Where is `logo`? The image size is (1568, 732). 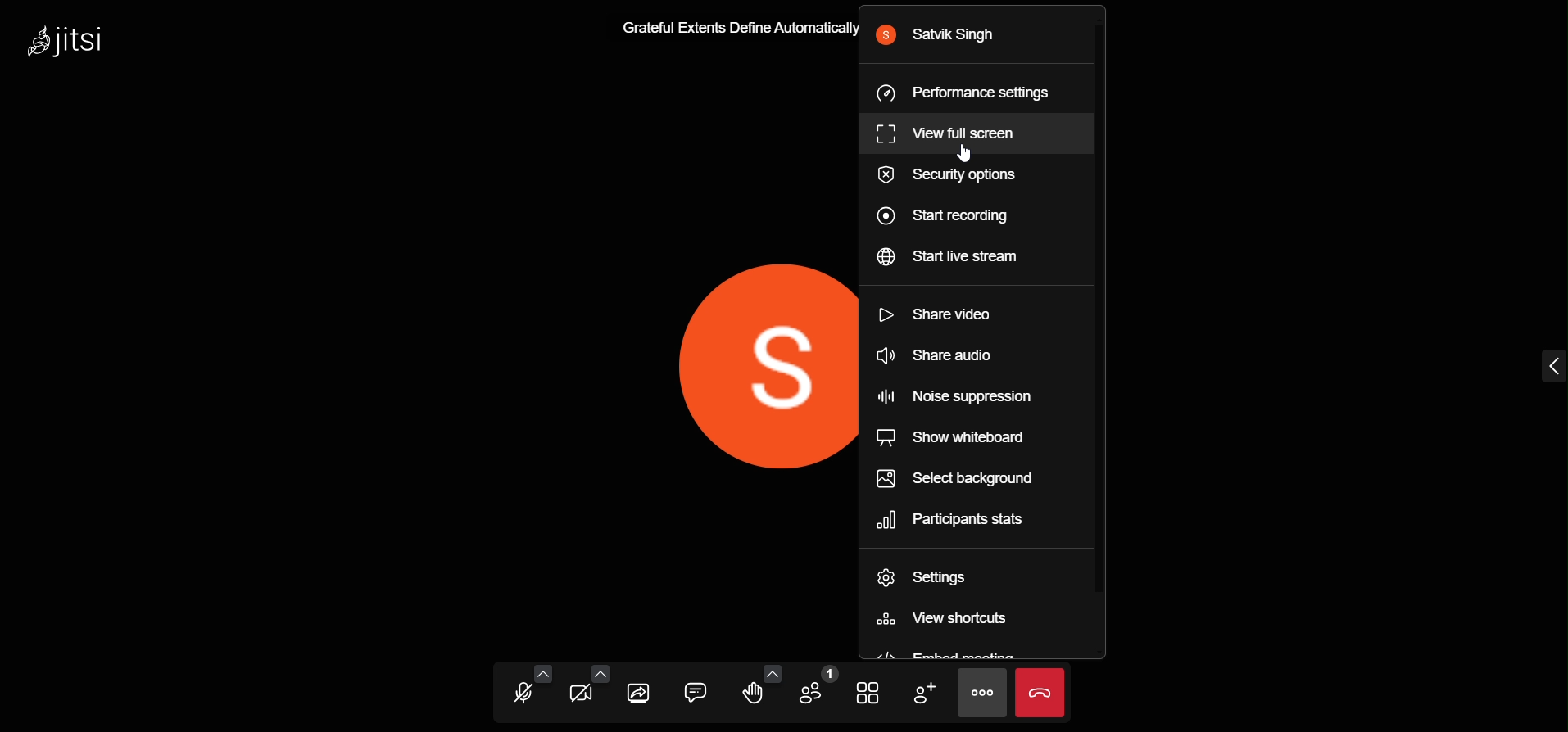
logo is located at coordinates (67, 44).